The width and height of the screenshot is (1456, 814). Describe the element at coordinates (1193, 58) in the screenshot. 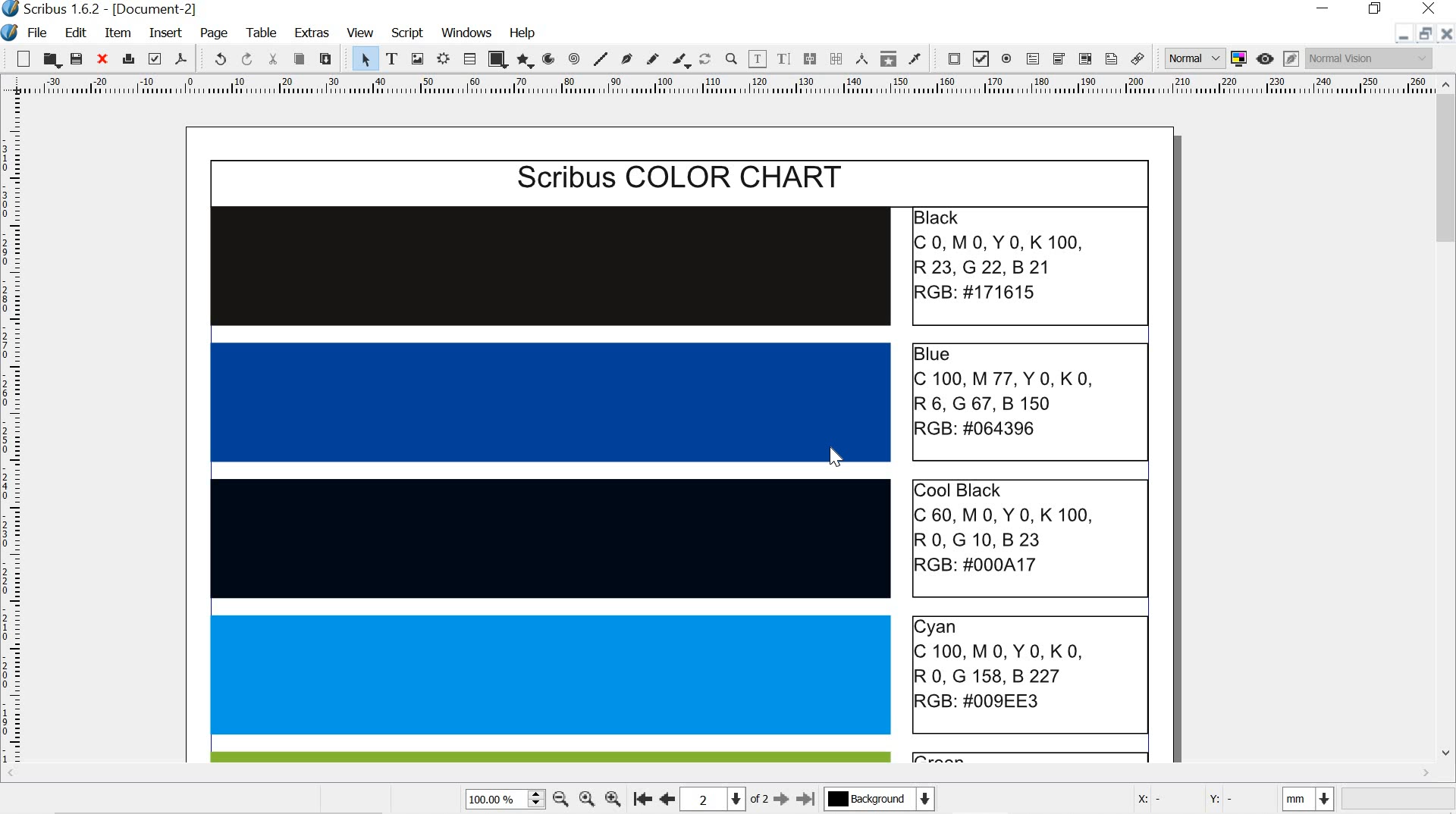

I see `Normal` at that location.